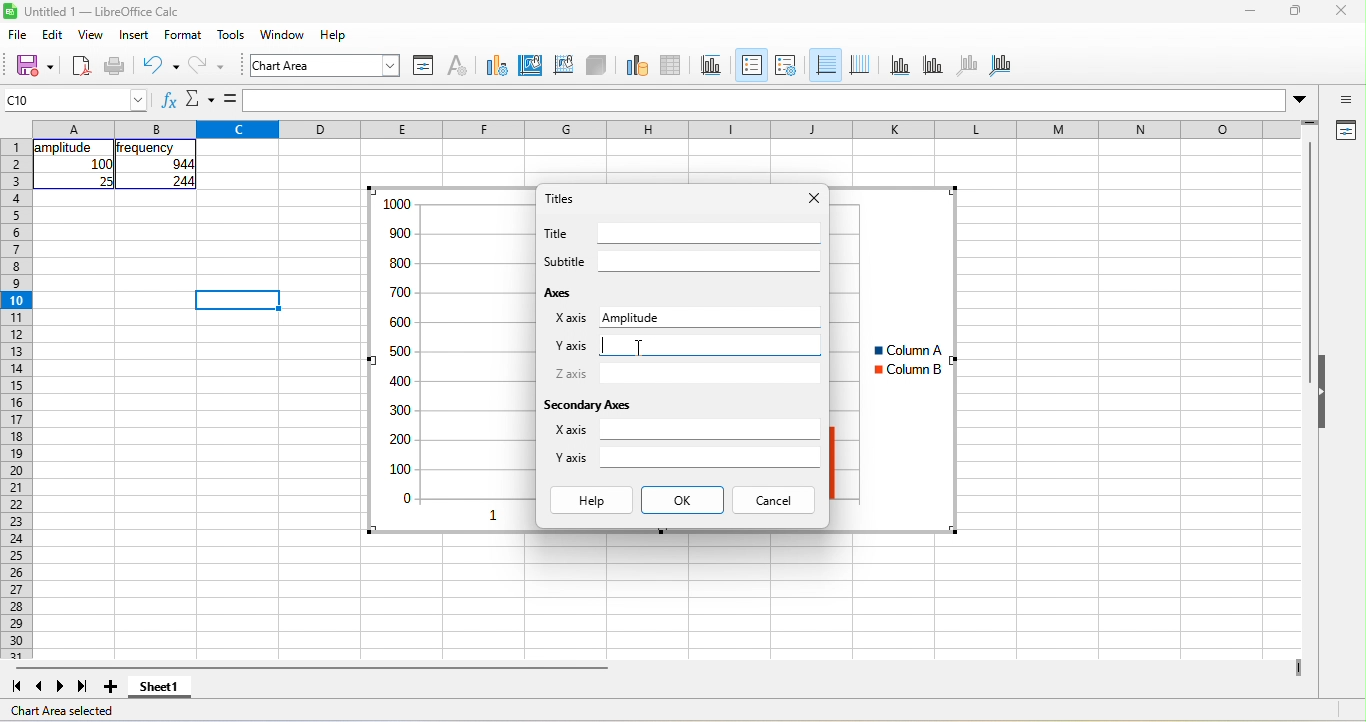  I want to click on undo, so click(161, 67).